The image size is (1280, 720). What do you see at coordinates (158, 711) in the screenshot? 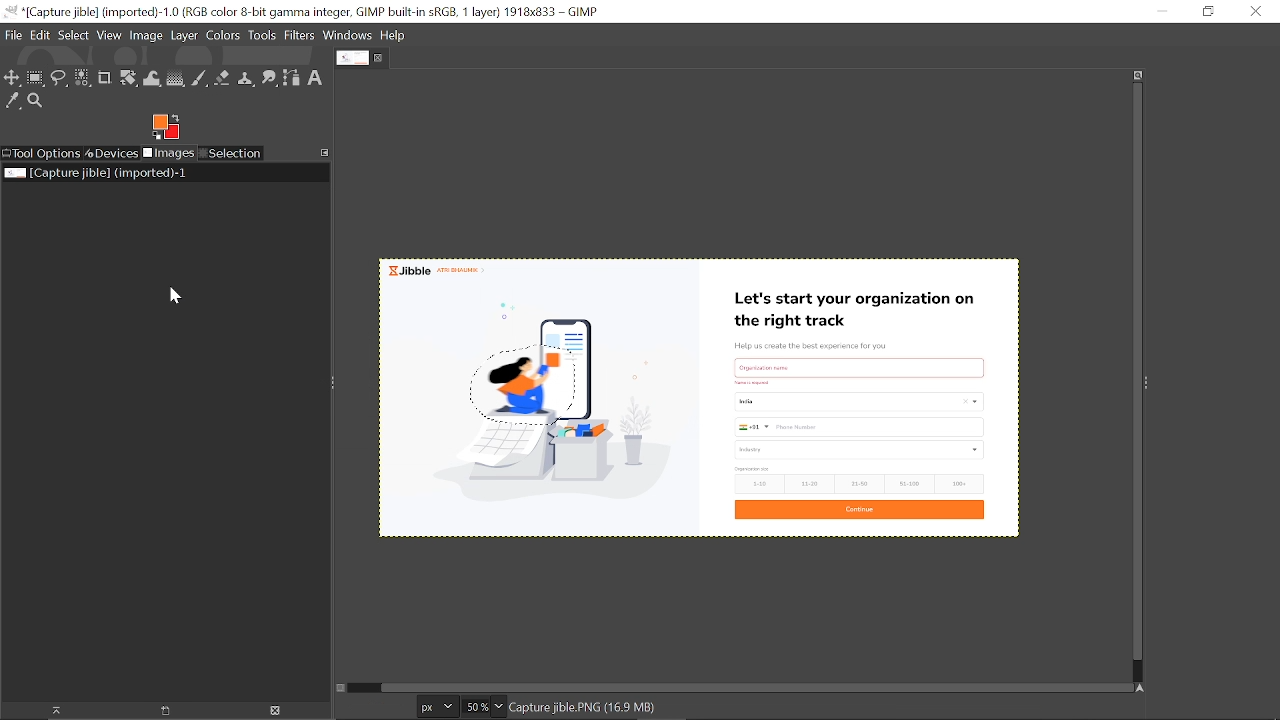
I see `open new display` at bounding box center [158, 711].